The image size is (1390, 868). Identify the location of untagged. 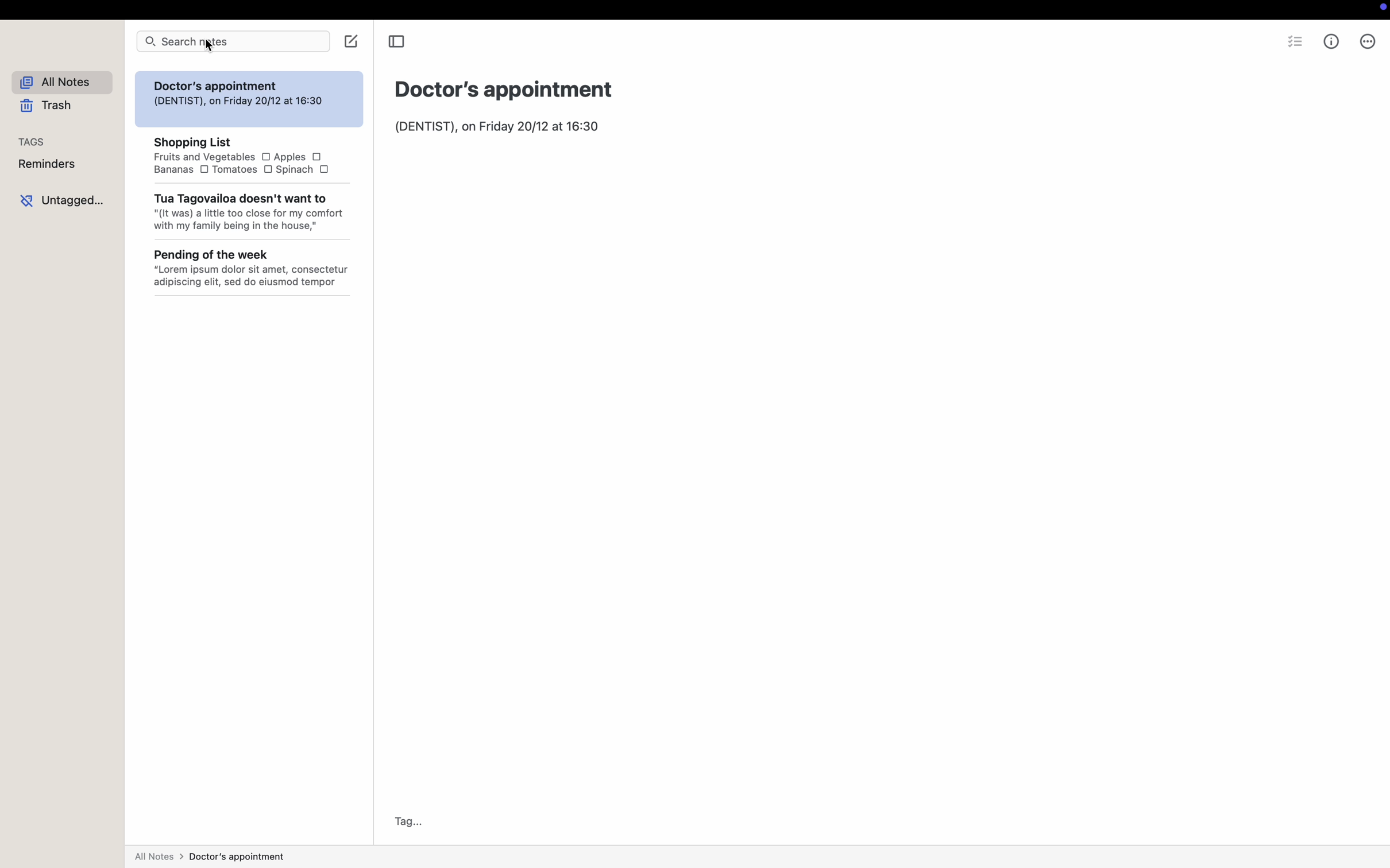
(61, 198).